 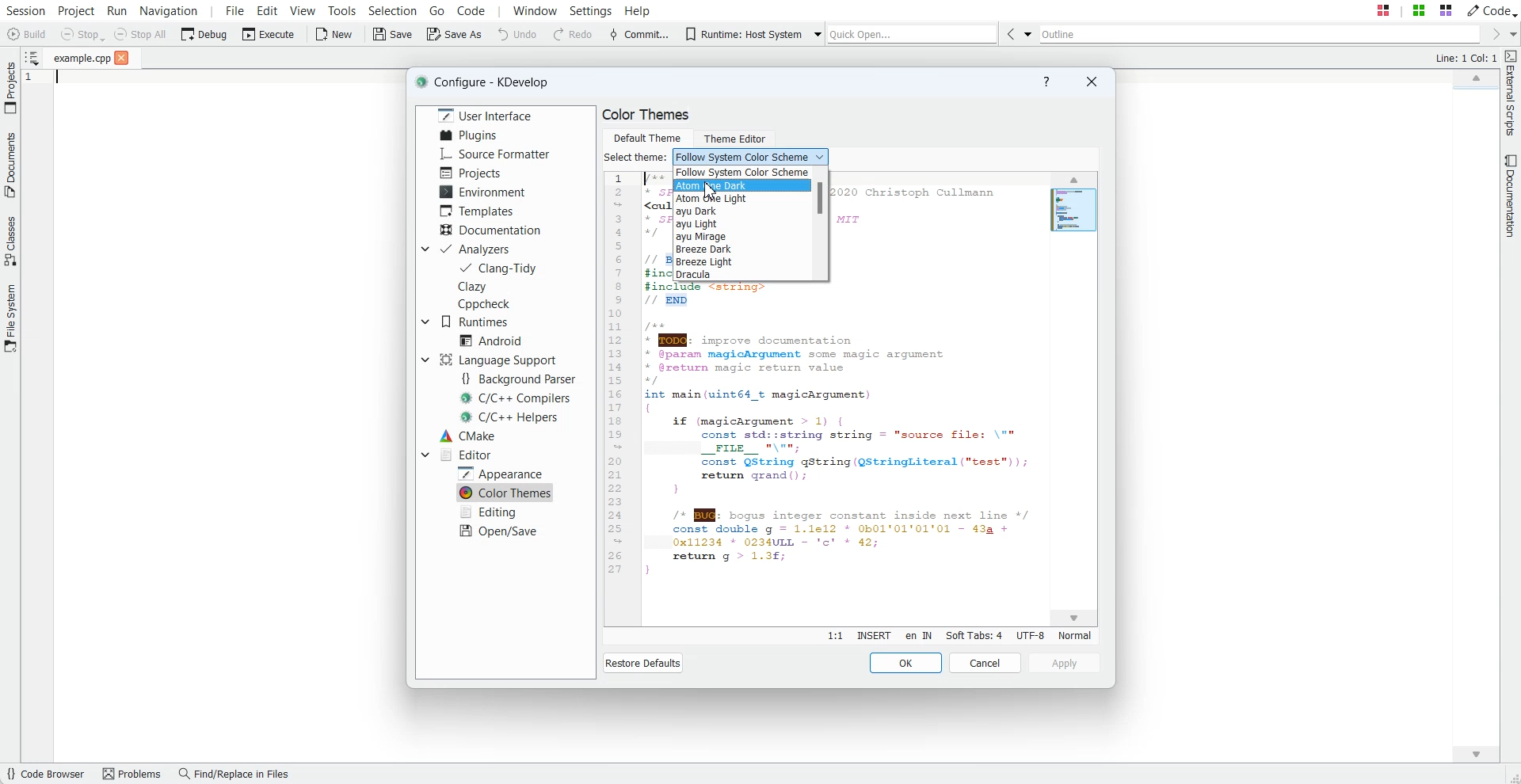 What do you see at coordinates (739, 34) in the screenshot?
I see `Runtime: Host System` at bounding box center [739, 34].